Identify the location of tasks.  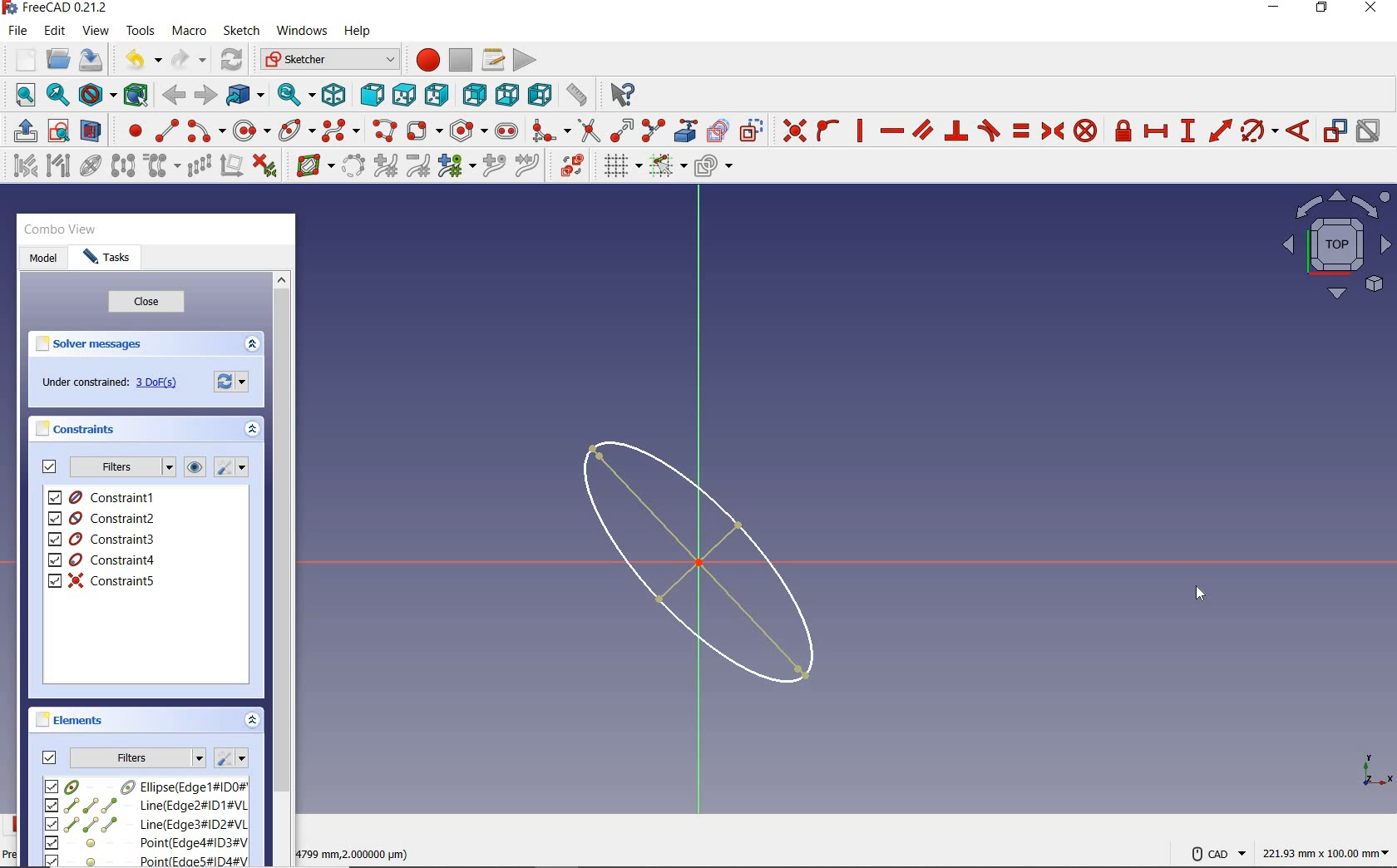
(107, 259).